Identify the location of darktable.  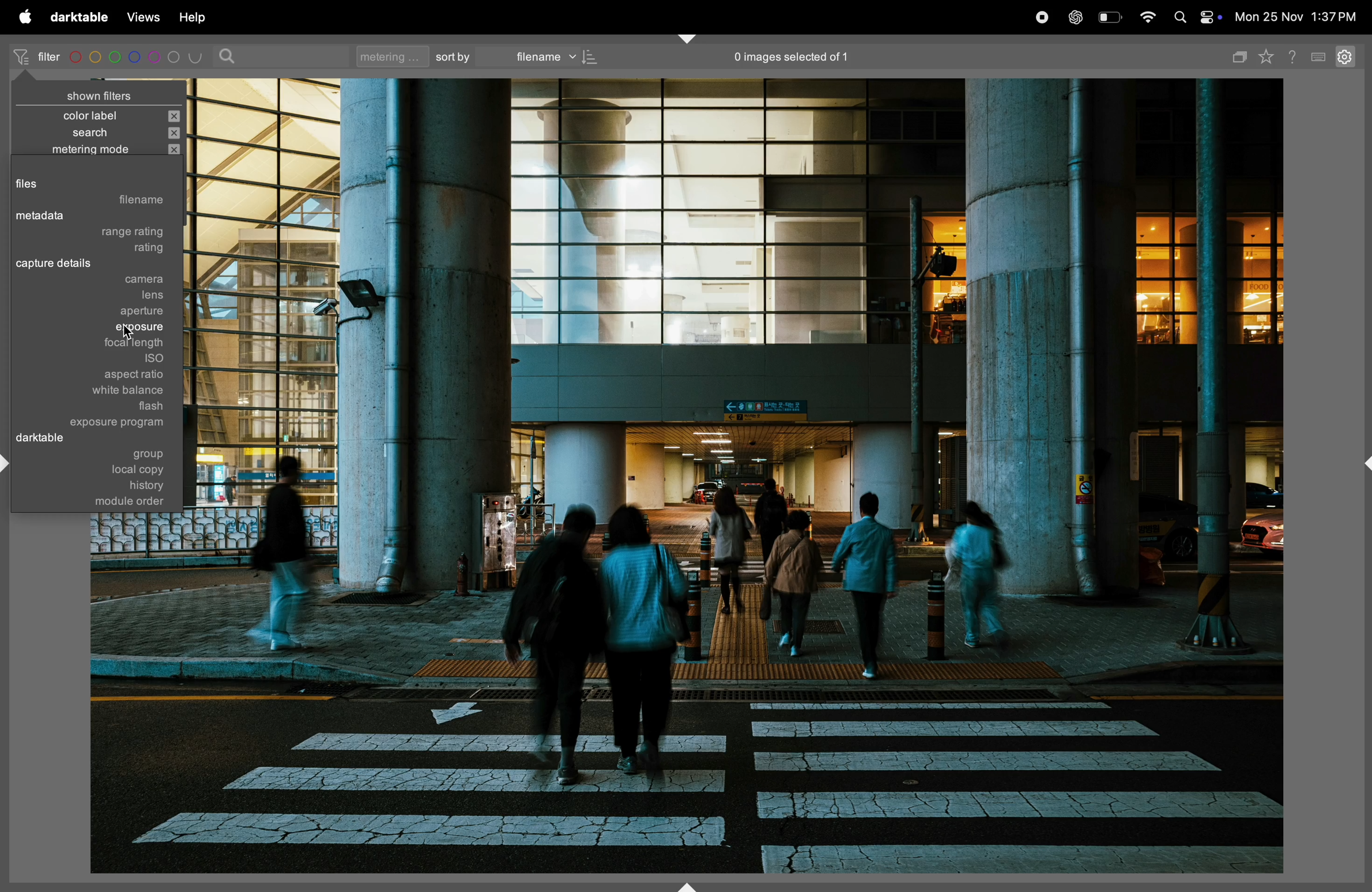
(52, 440).